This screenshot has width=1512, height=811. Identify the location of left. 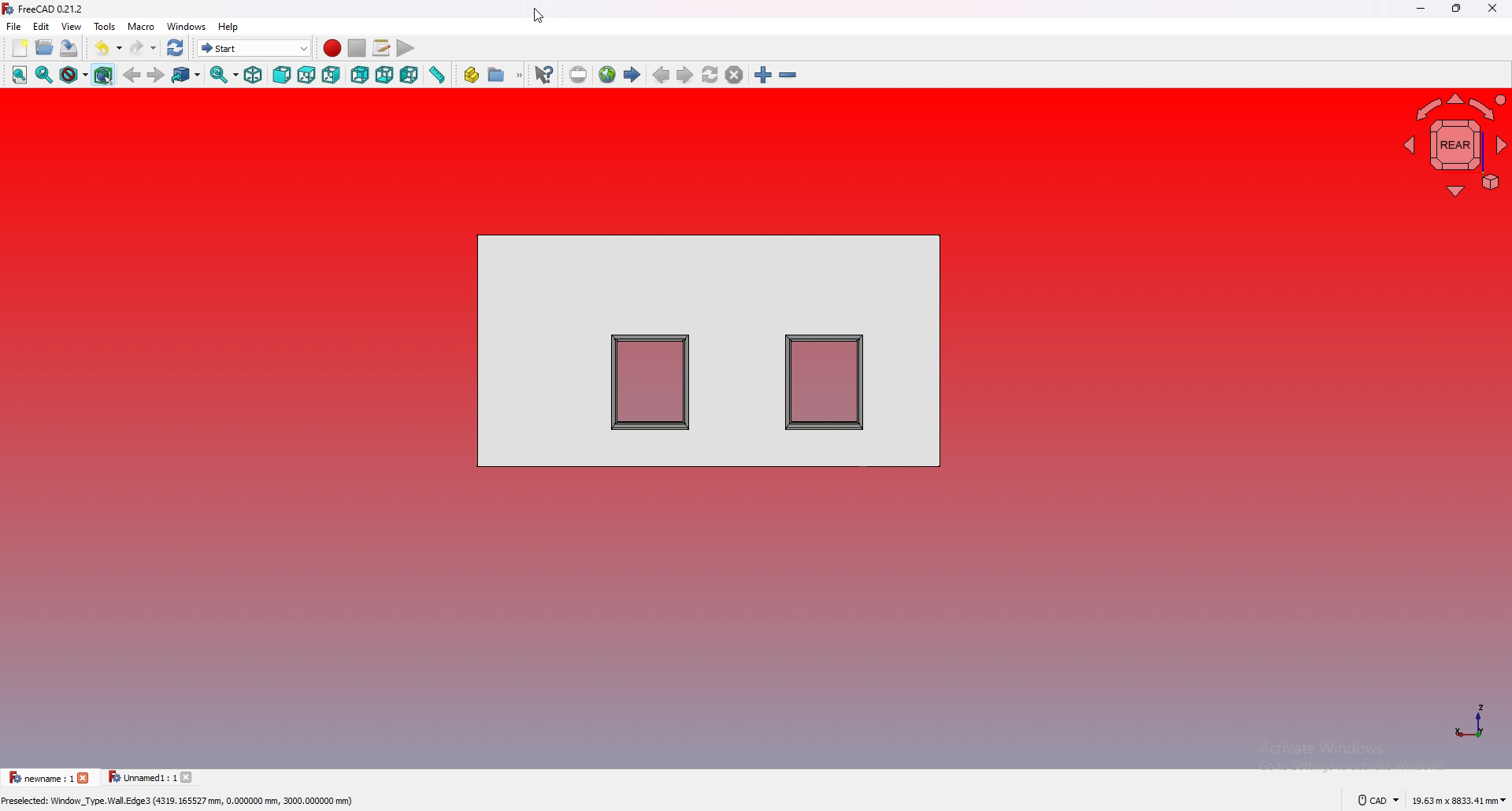
(409, 76).